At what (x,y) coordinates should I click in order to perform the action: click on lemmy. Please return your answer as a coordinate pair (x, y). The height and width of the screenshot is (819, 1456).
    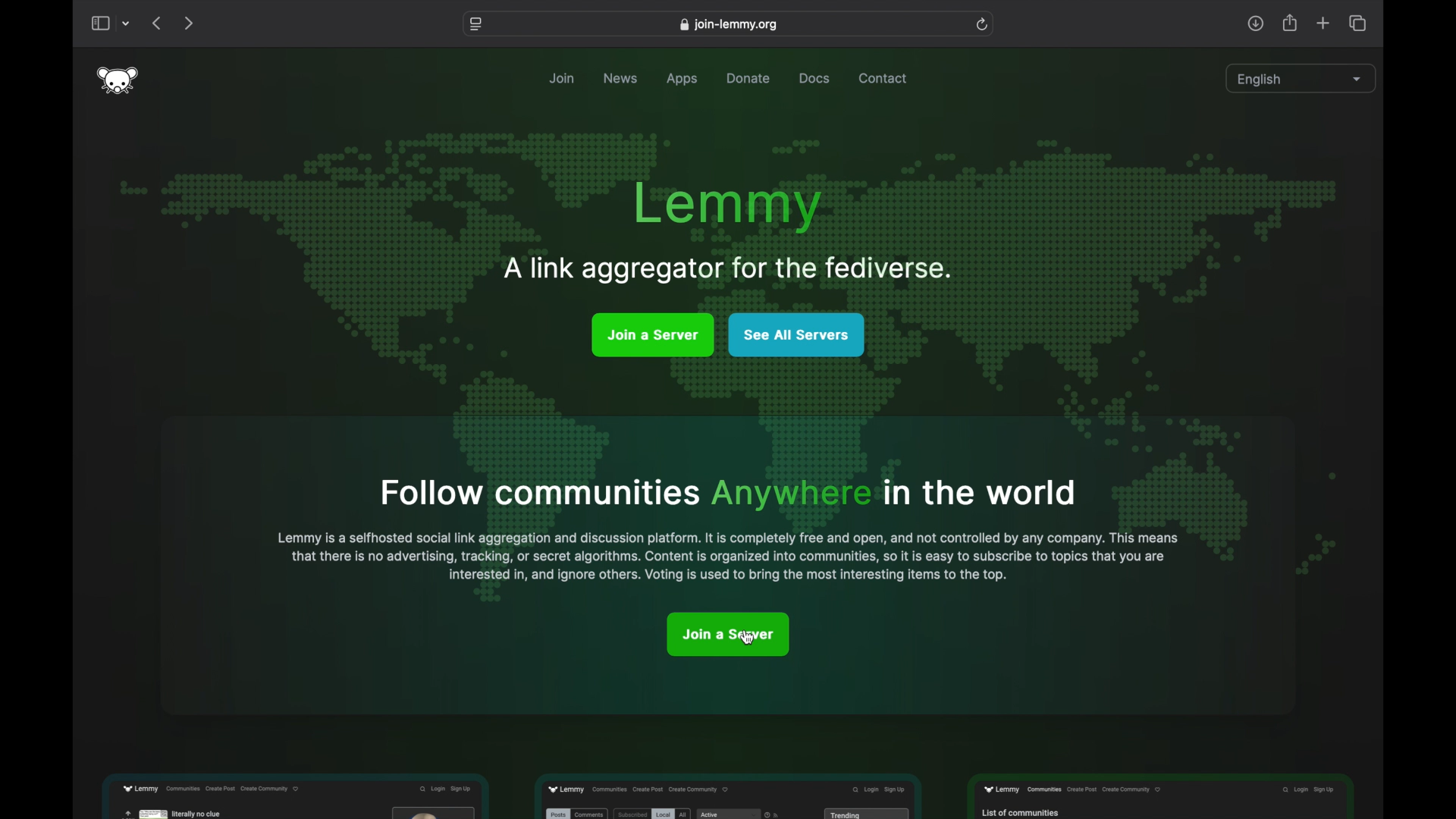
    Looking at the image, I should click on (118, 80).